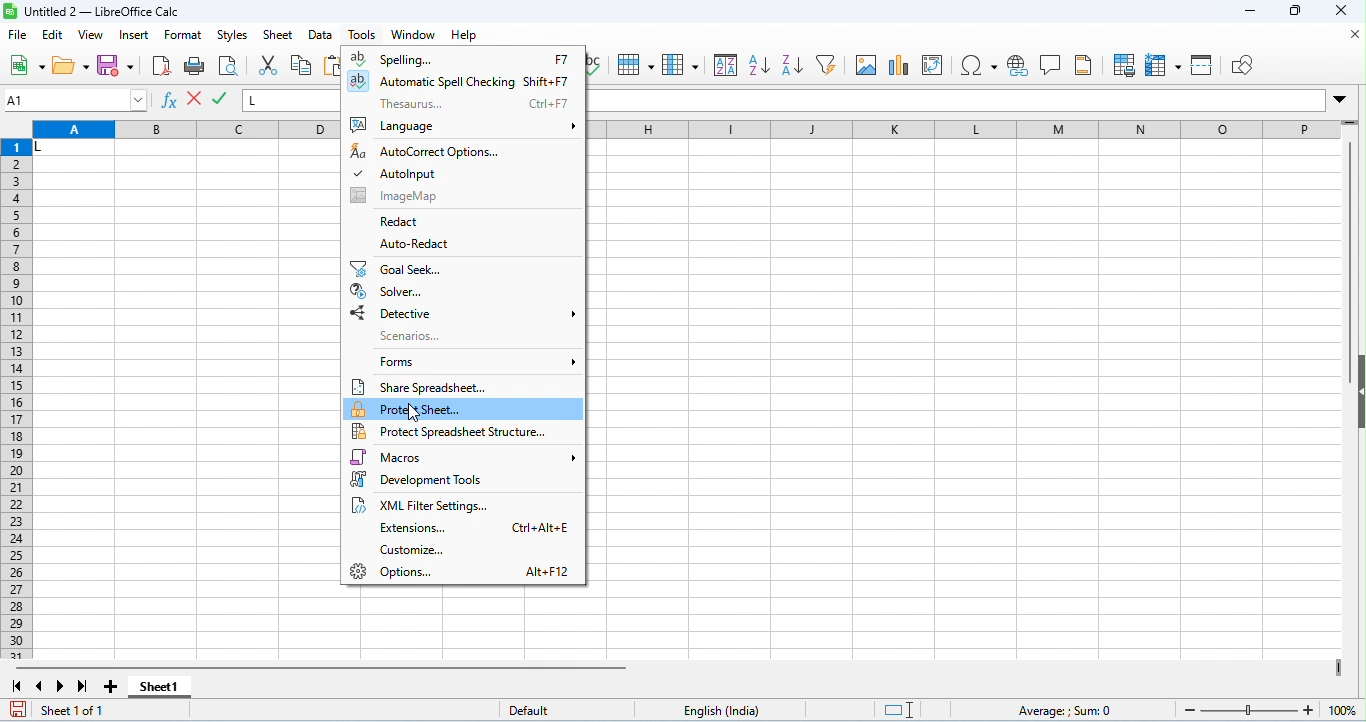 Image resolution: width=1366 pixels, height=722 pixels. What do you see at coordinates (1052, 65) in the screenshot?
I see `insert comment` at bounding box center [1052, 65].